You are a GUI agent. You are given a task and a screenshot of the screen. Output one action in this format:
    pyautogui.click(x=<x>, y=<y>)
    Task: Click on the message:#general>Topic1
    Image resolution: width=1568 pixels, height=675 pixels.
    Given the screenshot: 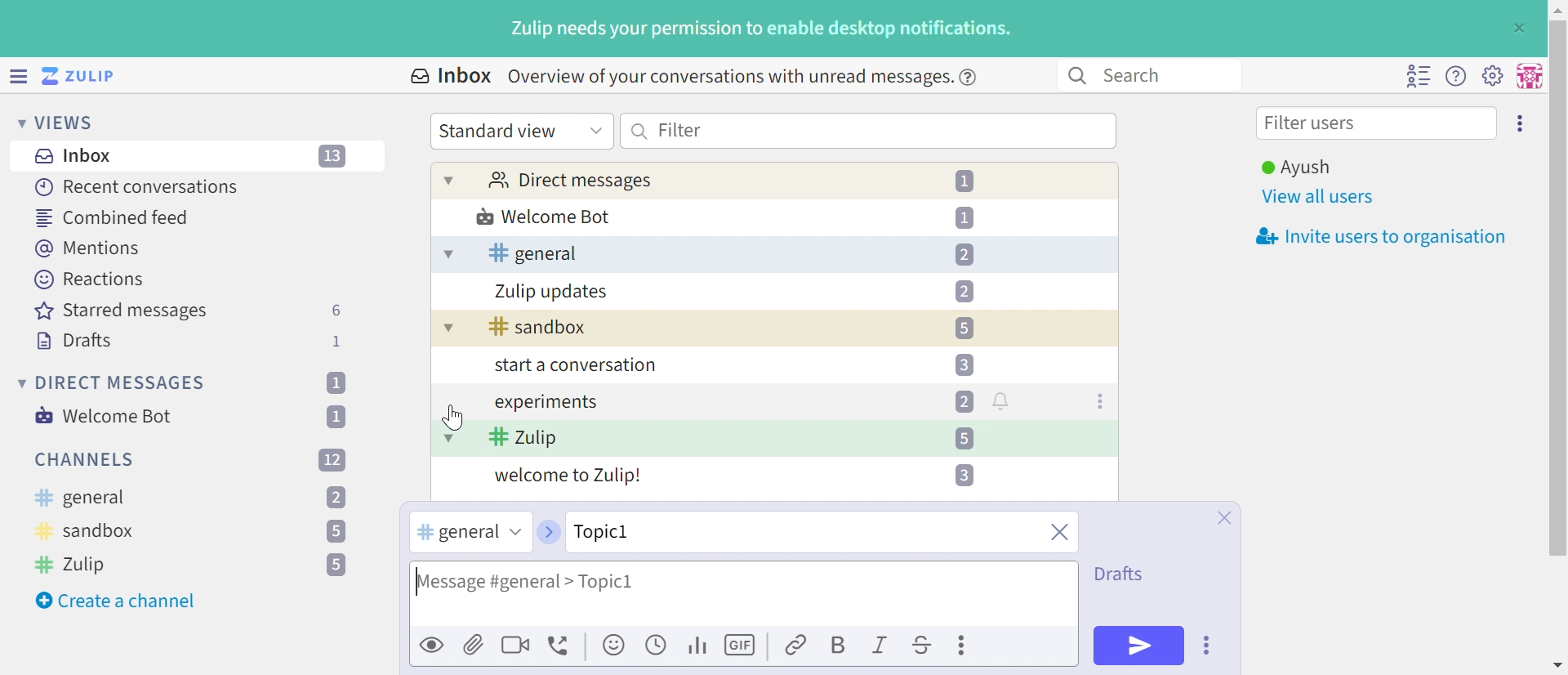 What is the action you would take?
    pyautogui.click(x=570, y=580)
    